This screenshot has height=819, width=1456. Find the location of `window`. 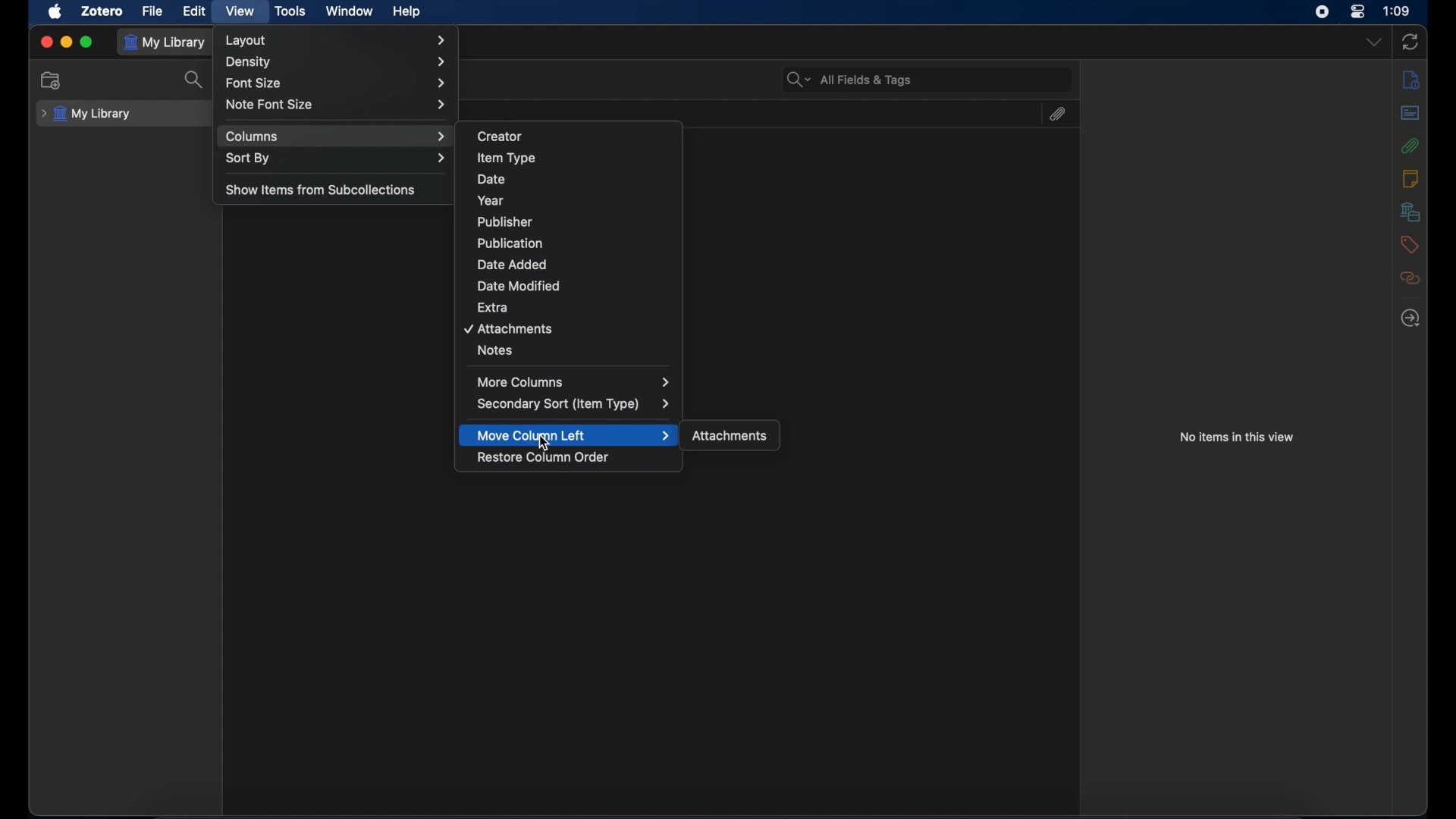

window is located at coordinates (349, 11).